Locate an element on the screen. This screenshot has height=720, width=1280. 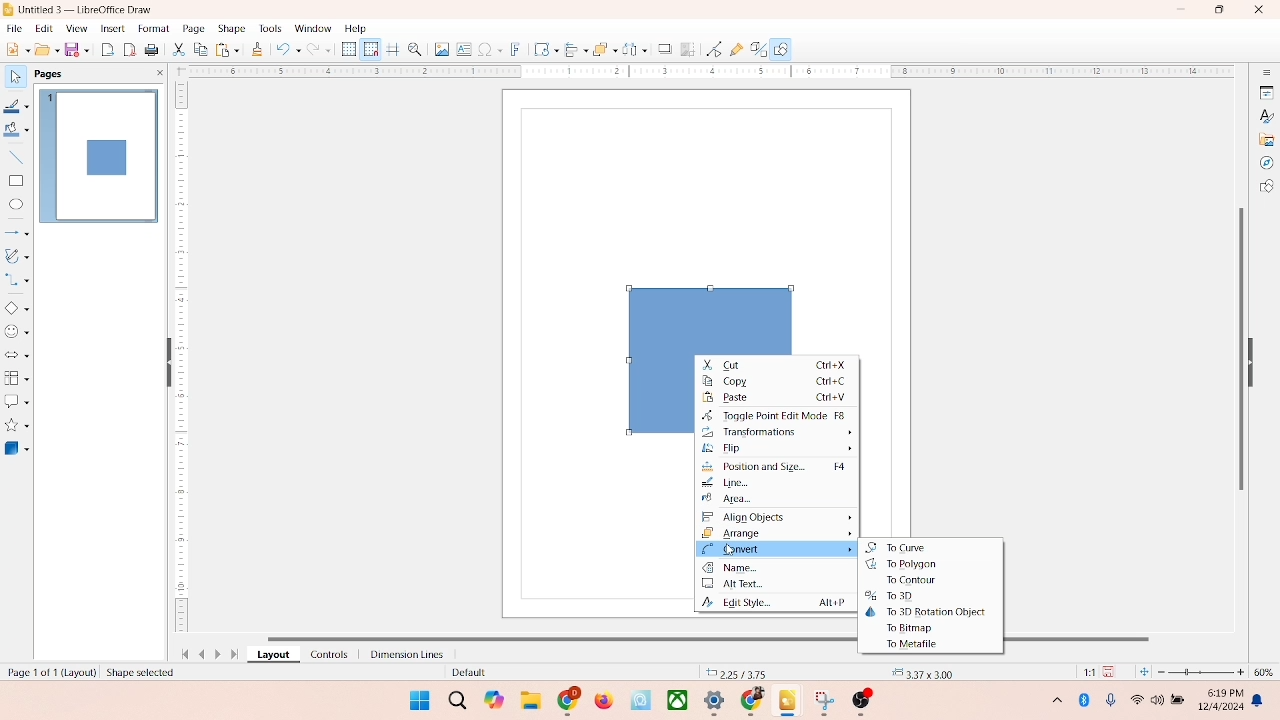
title is located at coordinates (87, 8).